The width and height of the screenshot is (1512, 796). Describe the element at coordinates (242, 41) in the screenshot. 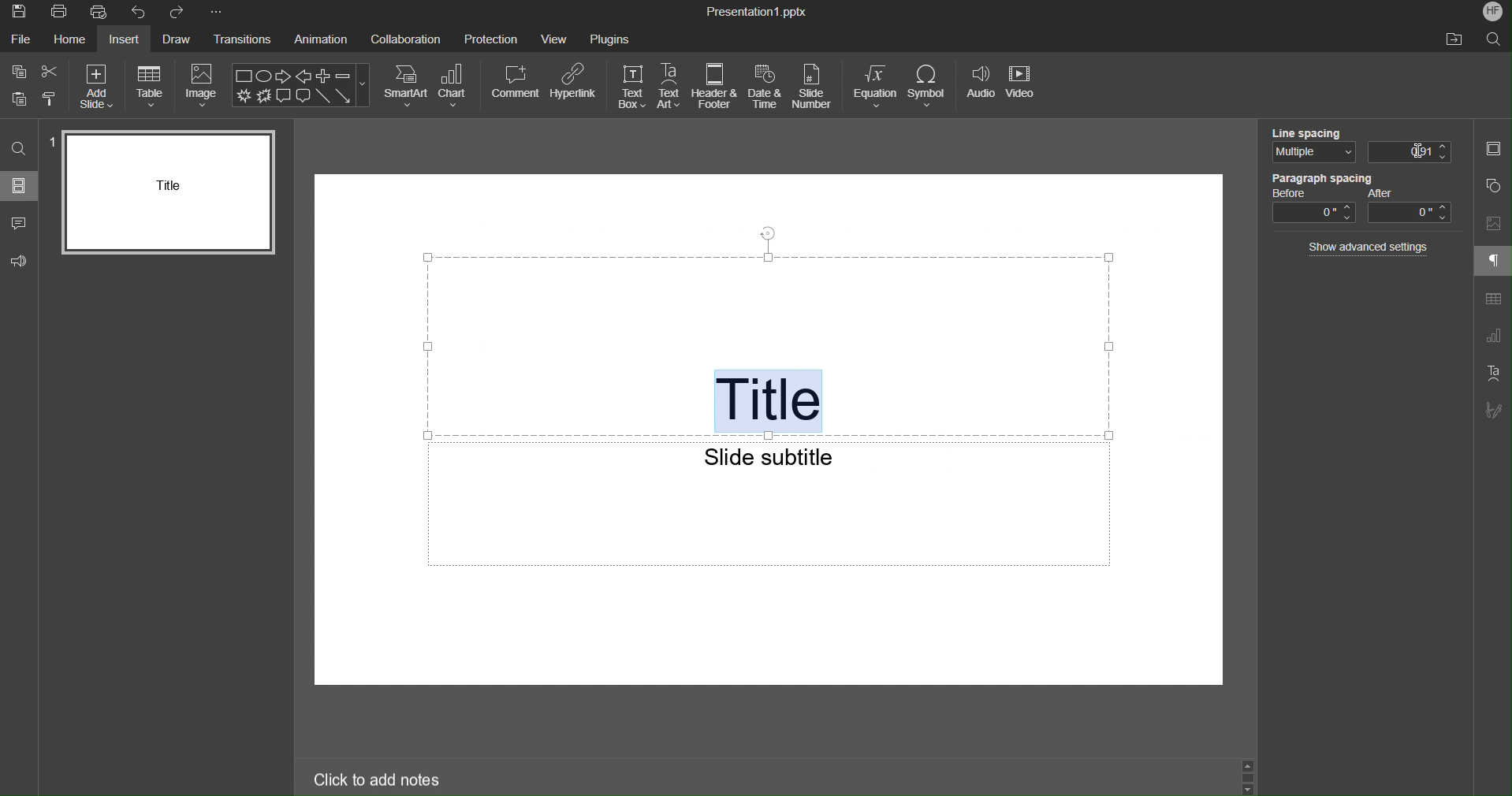

I see `Transitions` at that location.